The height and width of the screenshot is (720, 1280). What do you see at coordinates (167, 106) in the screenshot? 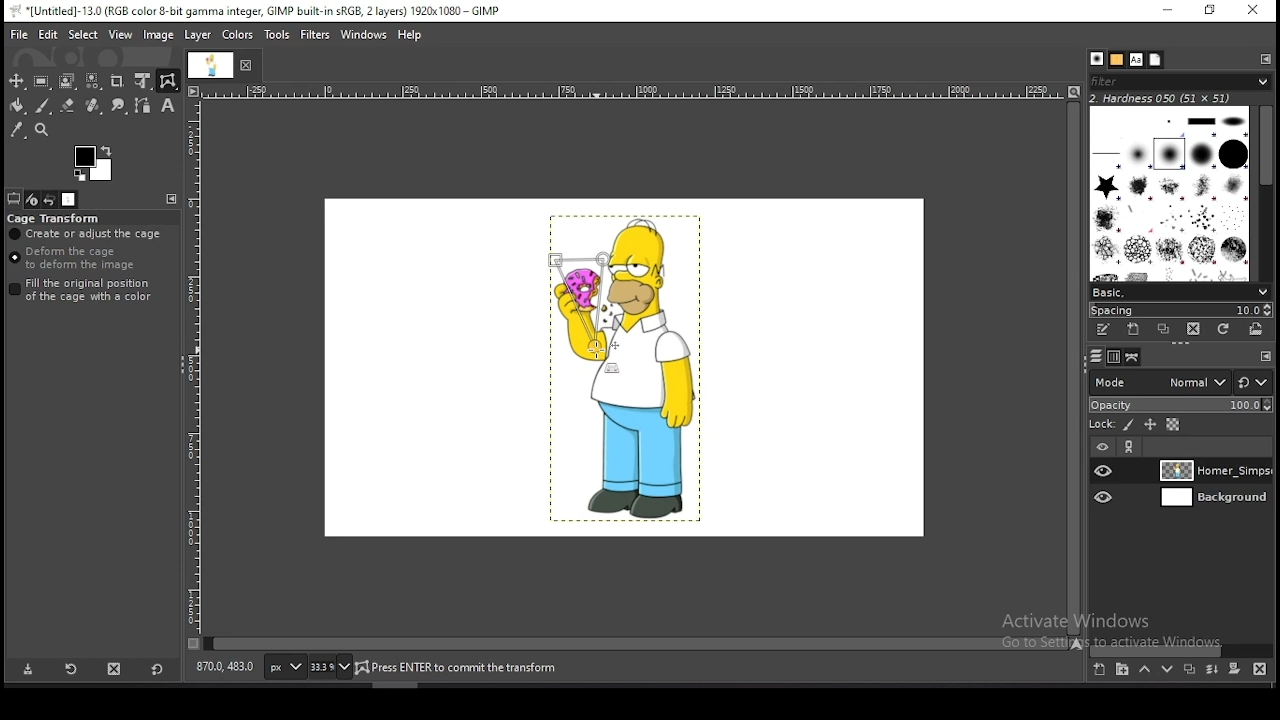
I see `text tool` at bounding box center [167, 106].